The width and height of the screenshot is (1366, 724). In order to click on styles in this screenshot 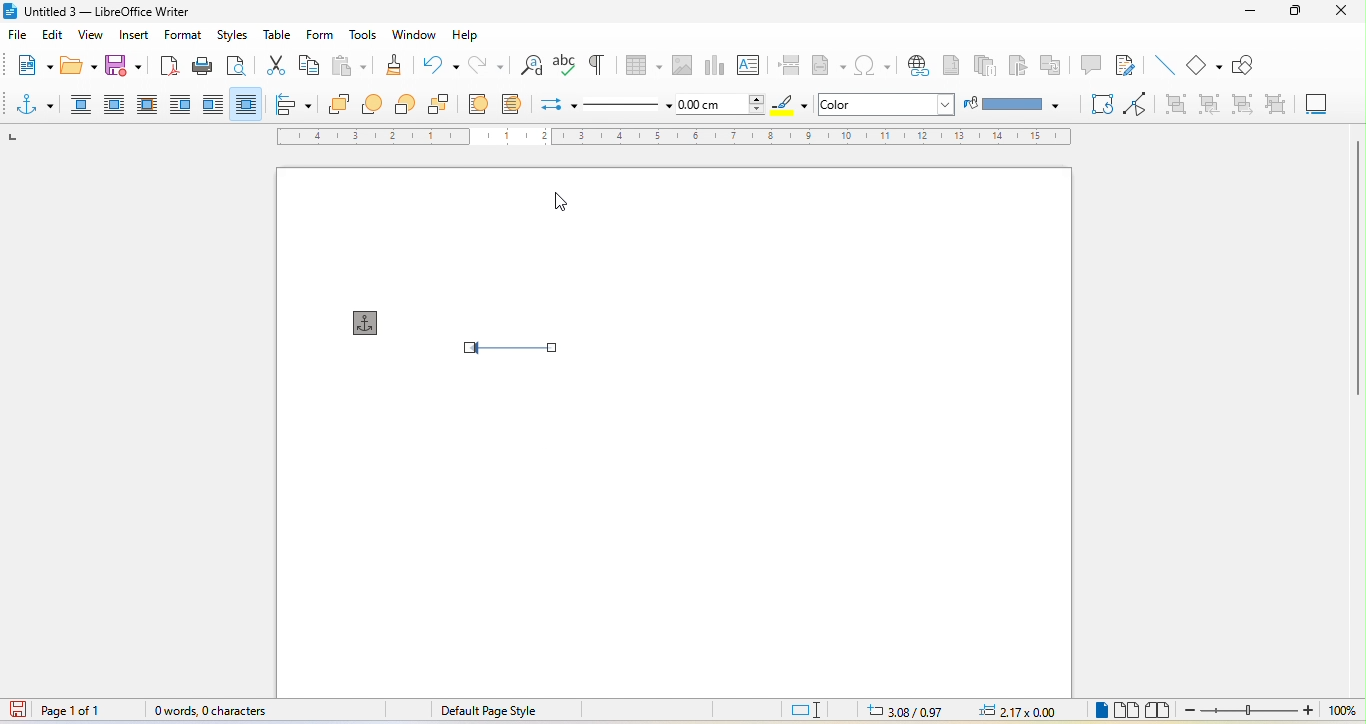, I will do `click(231, 36)`.